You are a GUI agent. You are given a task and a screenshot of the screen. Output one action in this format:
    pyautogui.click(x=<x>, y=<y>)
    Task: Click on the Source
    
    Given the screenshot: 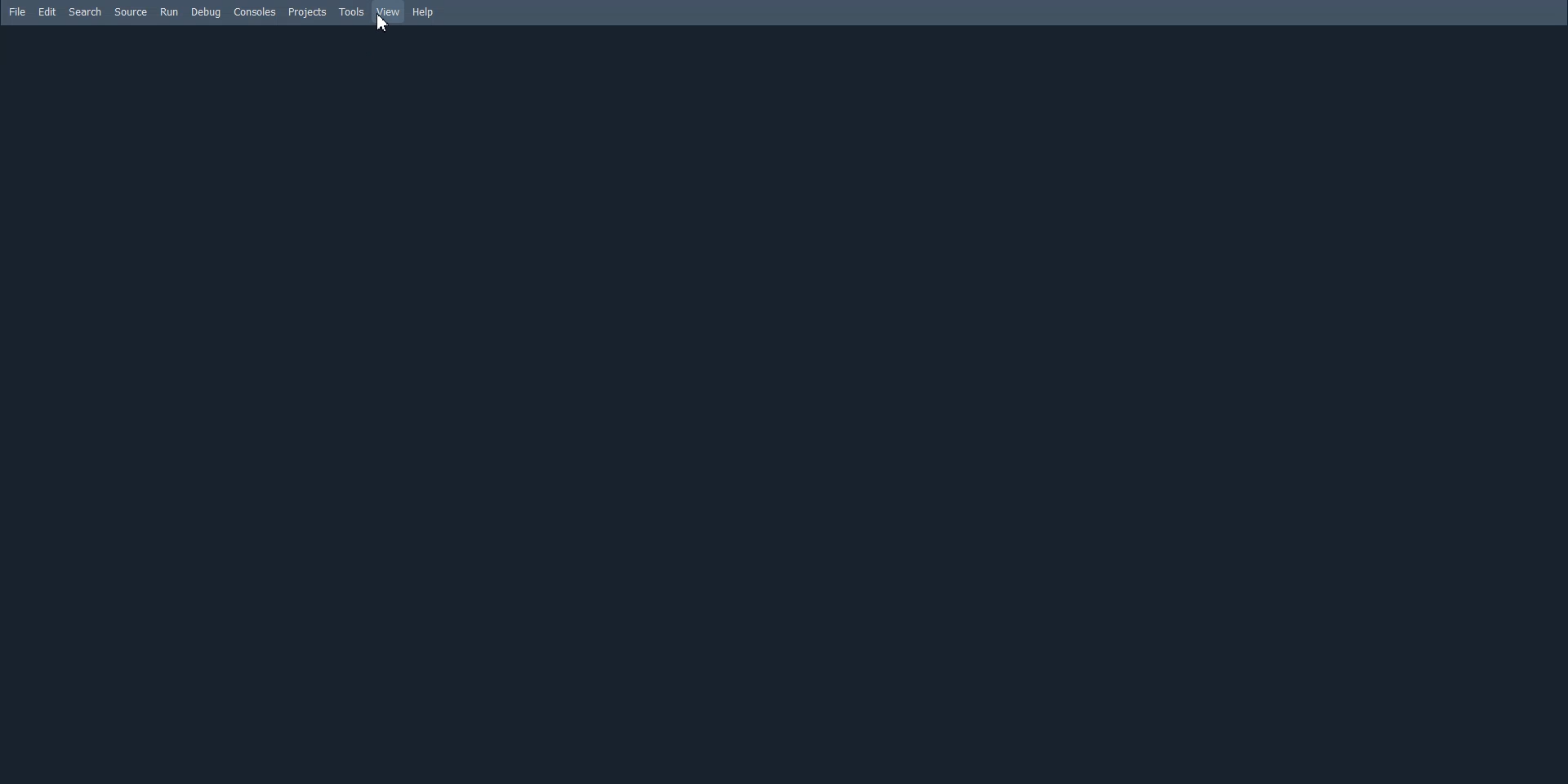 What is the action you would take?
    pyautogui.click(x=131, y=11)
    